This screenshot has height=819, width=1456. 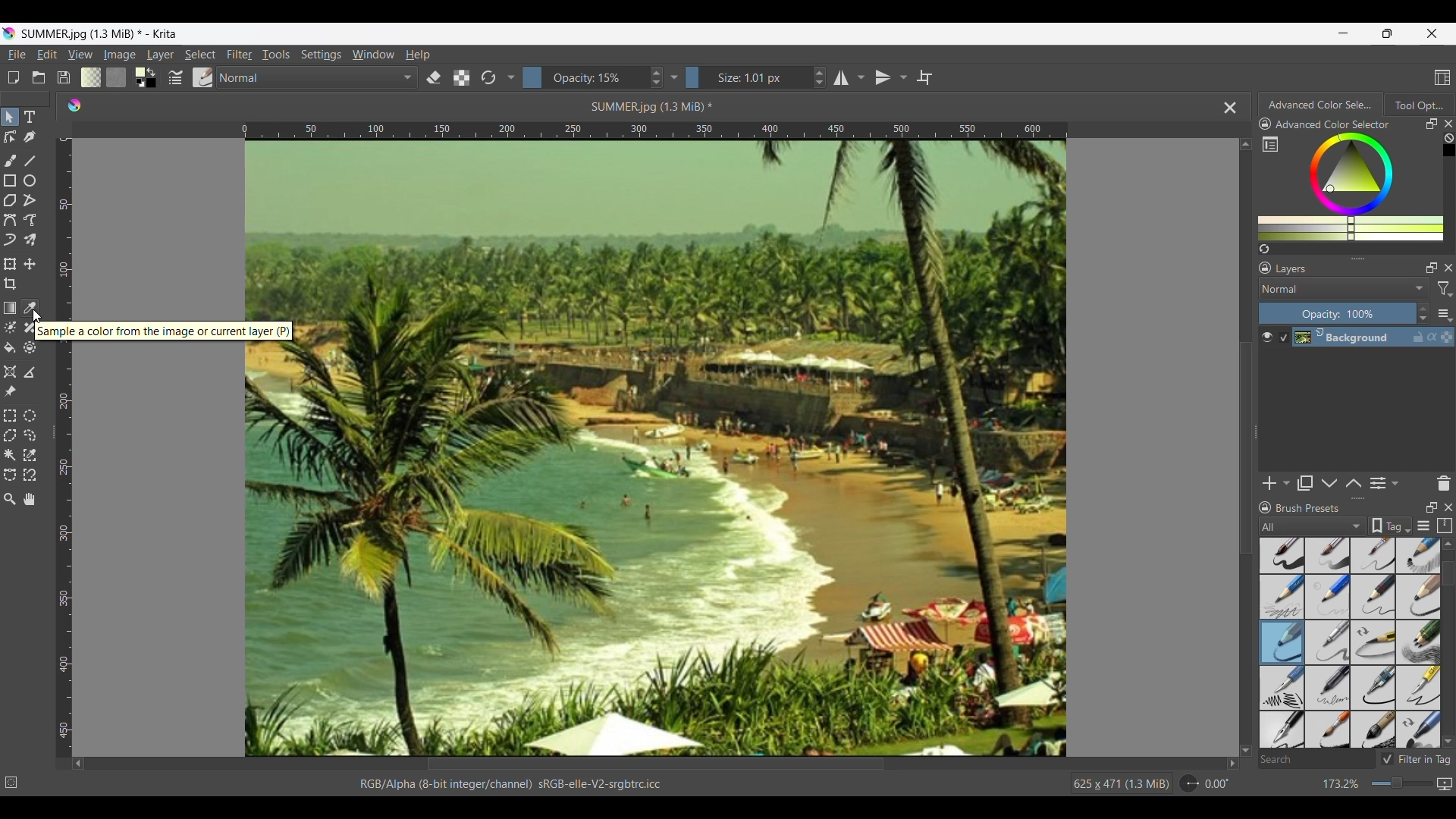 I want to click on Current file, so click(x=680, y=447).